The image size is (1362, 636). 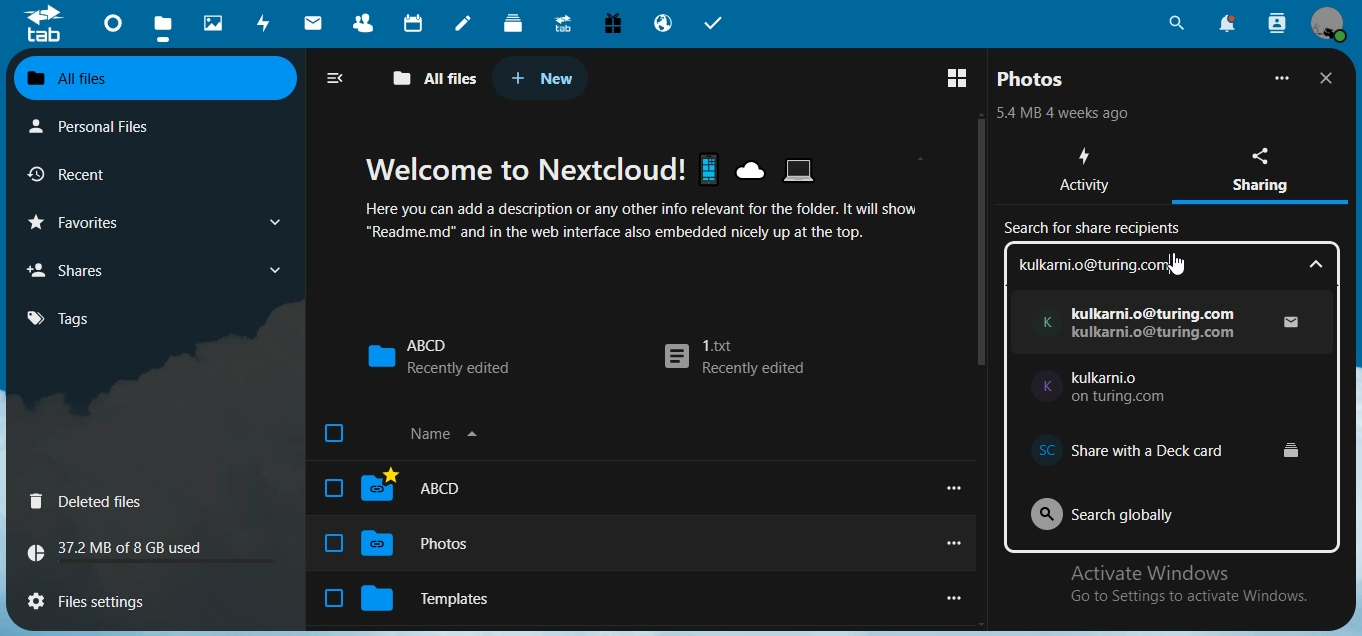 I want to click on name, so click(x=448, y=434).